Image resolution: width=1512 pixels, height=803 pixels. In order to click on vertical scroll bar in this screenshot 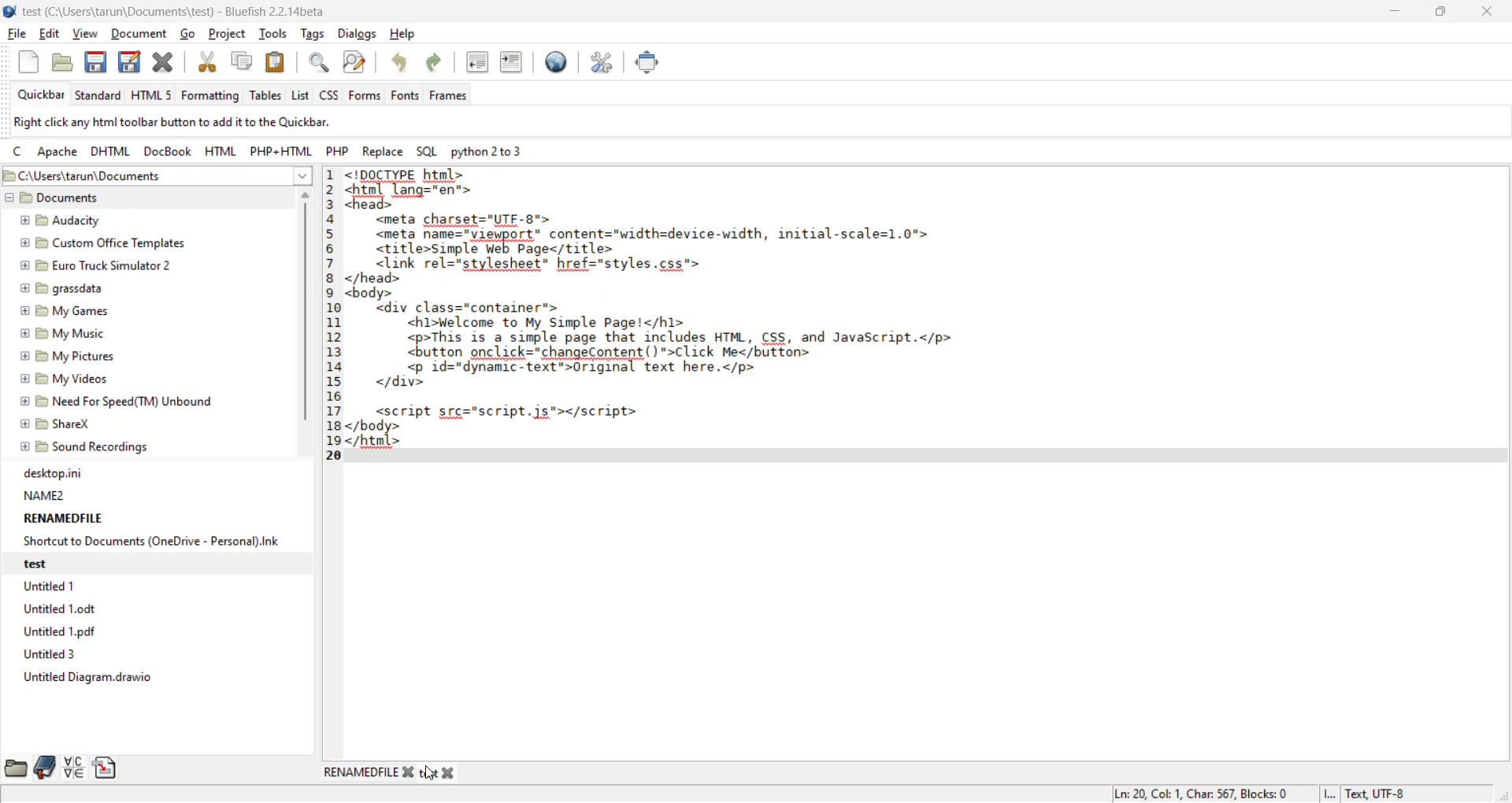, I will do `click(306, 314)`.